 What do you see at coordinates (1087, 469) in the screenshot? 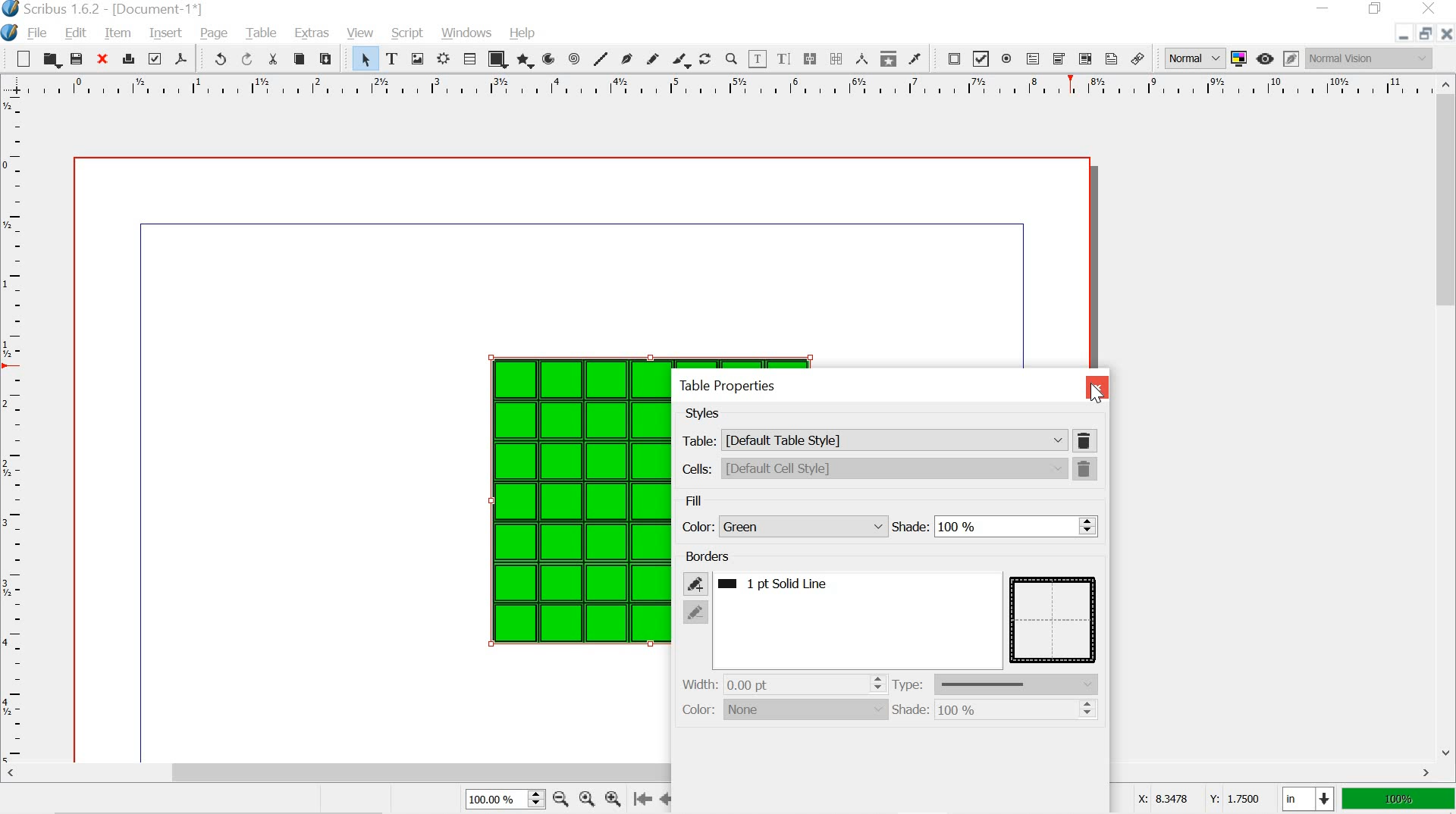
I see `delete` at bounding box center [1087, 469].